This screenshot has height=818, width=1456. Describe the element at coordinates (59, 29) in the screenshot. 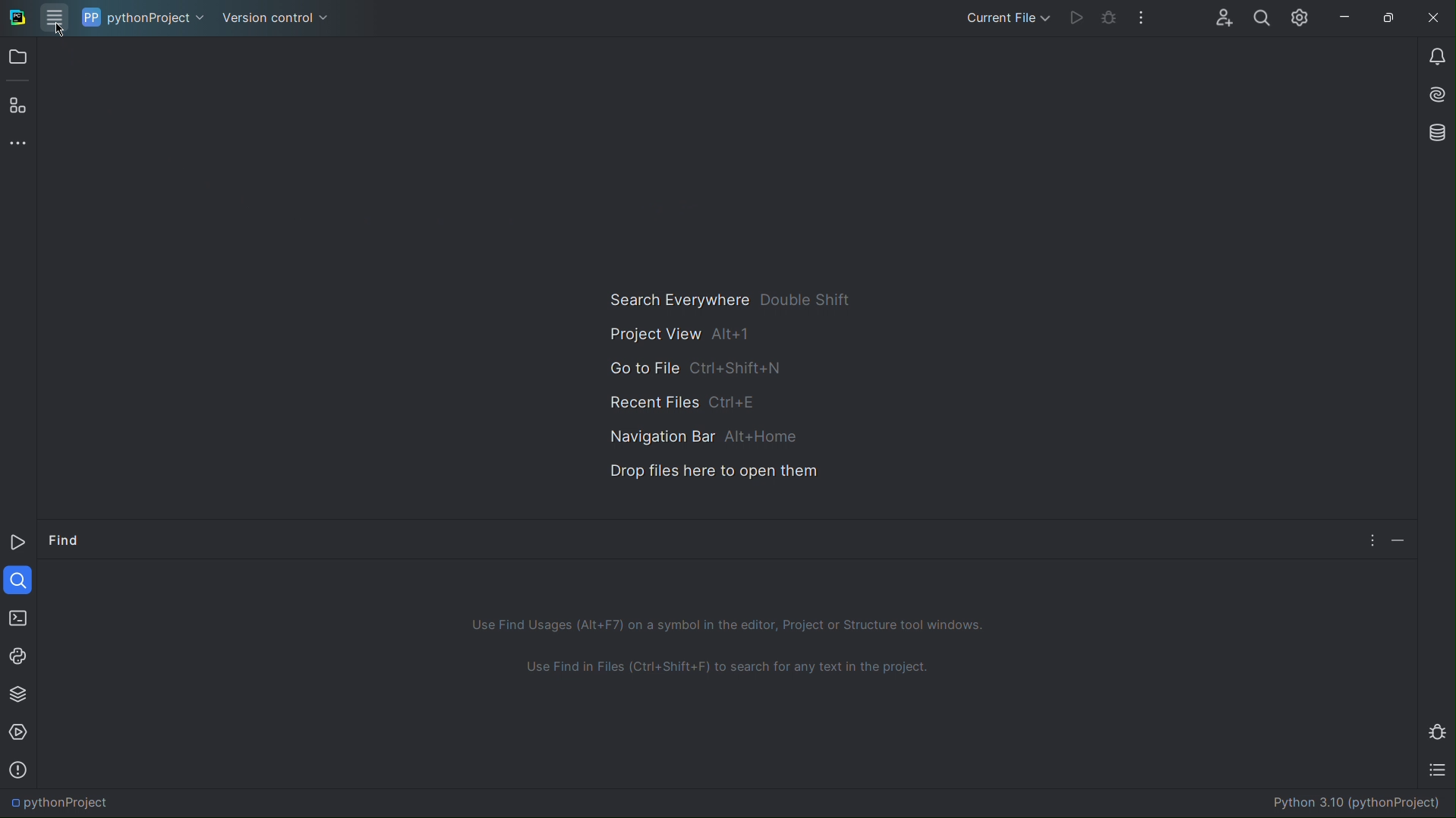

I see `Cursor` at that location.